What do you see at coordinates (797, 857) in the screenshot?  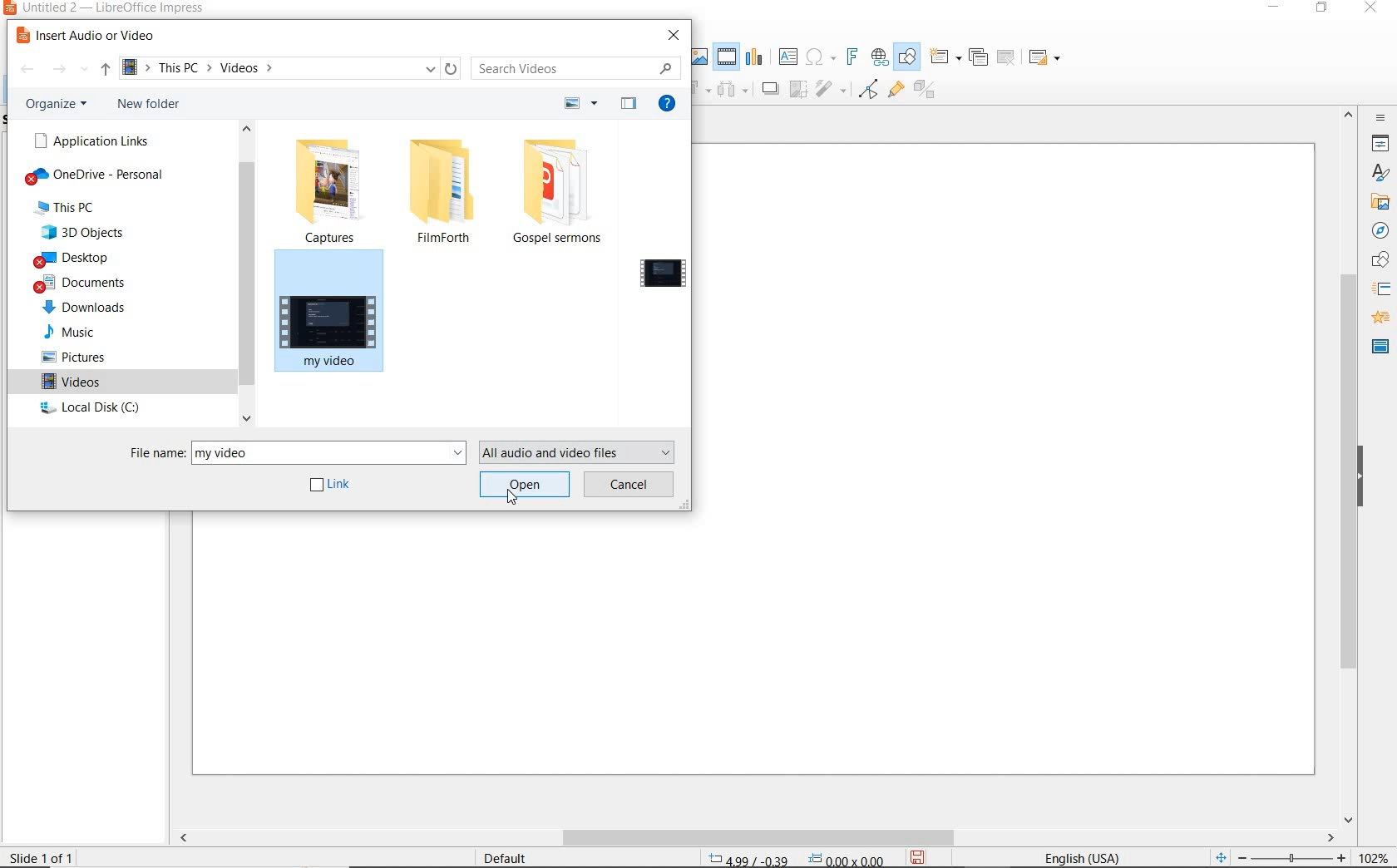 I see `POSITION AND SIZE` at bounding box center [797, 857].